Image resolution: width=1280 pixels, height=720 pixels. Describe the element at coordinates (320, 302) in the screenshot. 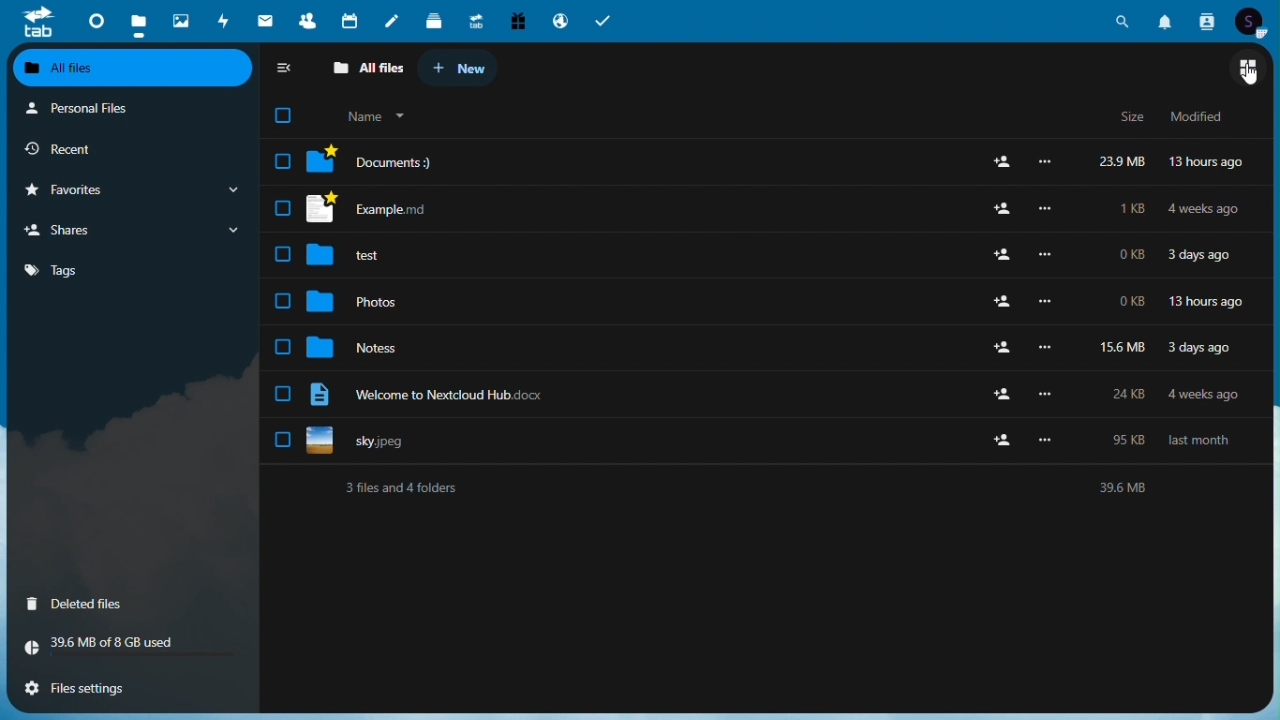

I see `folder` at that location.